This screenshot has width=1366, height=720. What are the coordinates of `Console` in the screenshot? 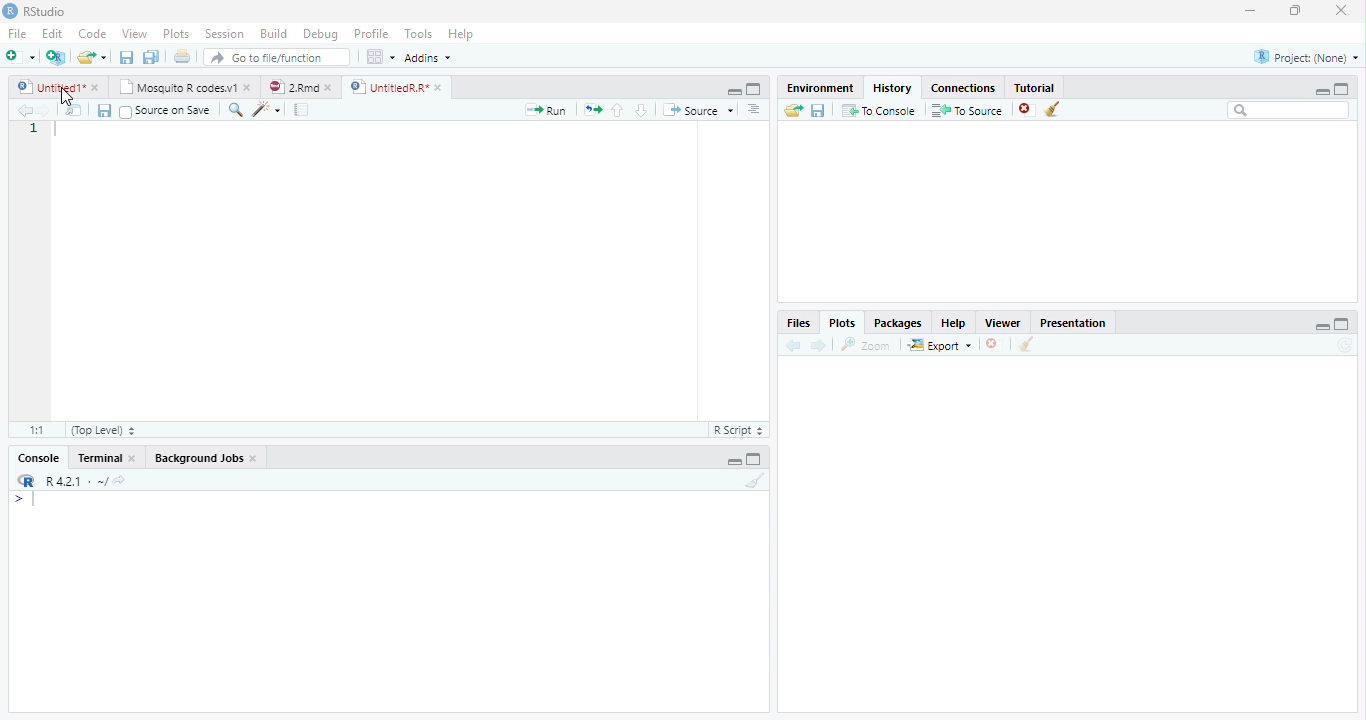 It's located at (38, 456).